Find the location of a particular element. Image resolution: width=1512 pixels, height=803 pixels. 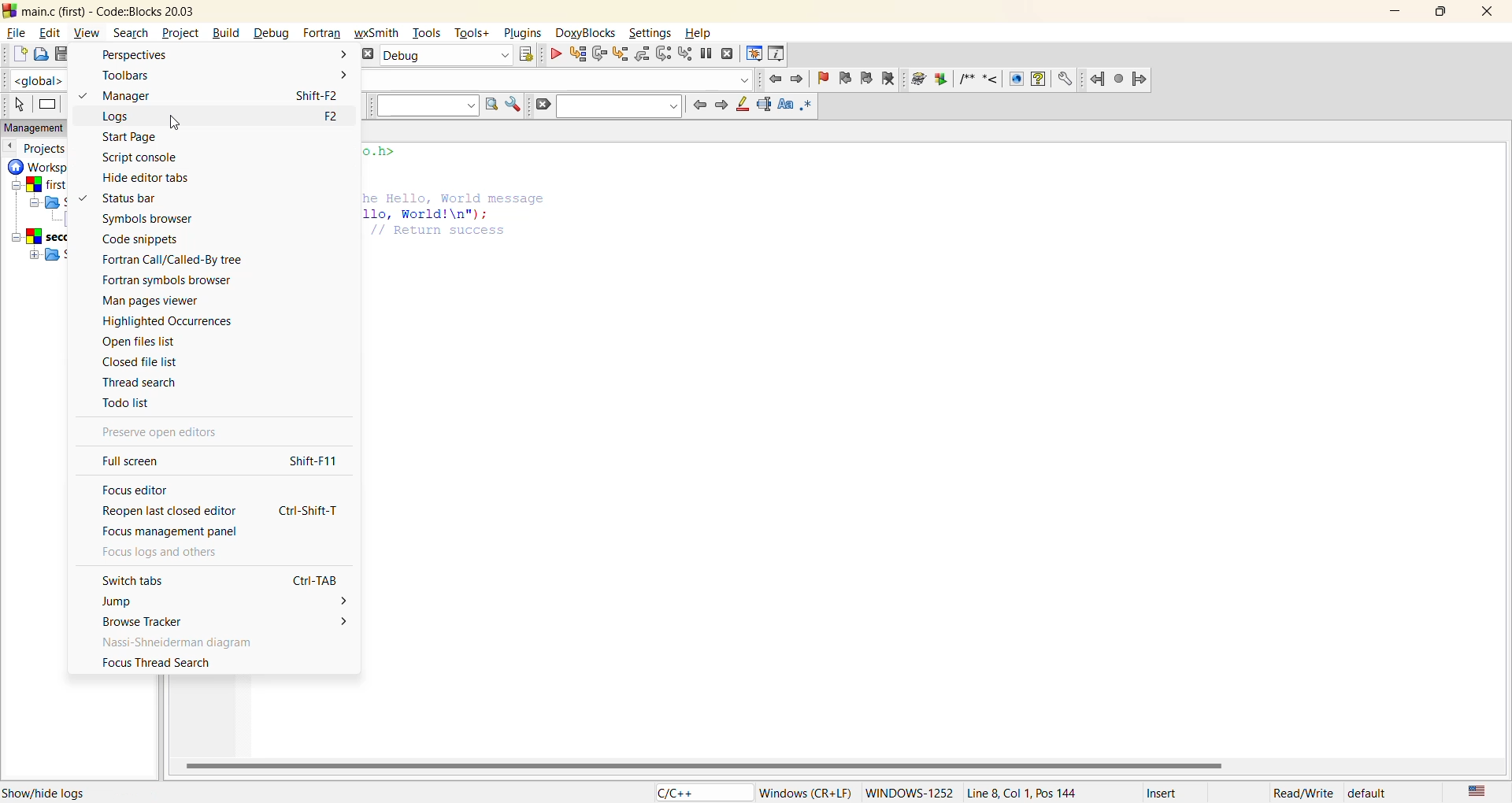

projects is located at coordinates (54, 151).